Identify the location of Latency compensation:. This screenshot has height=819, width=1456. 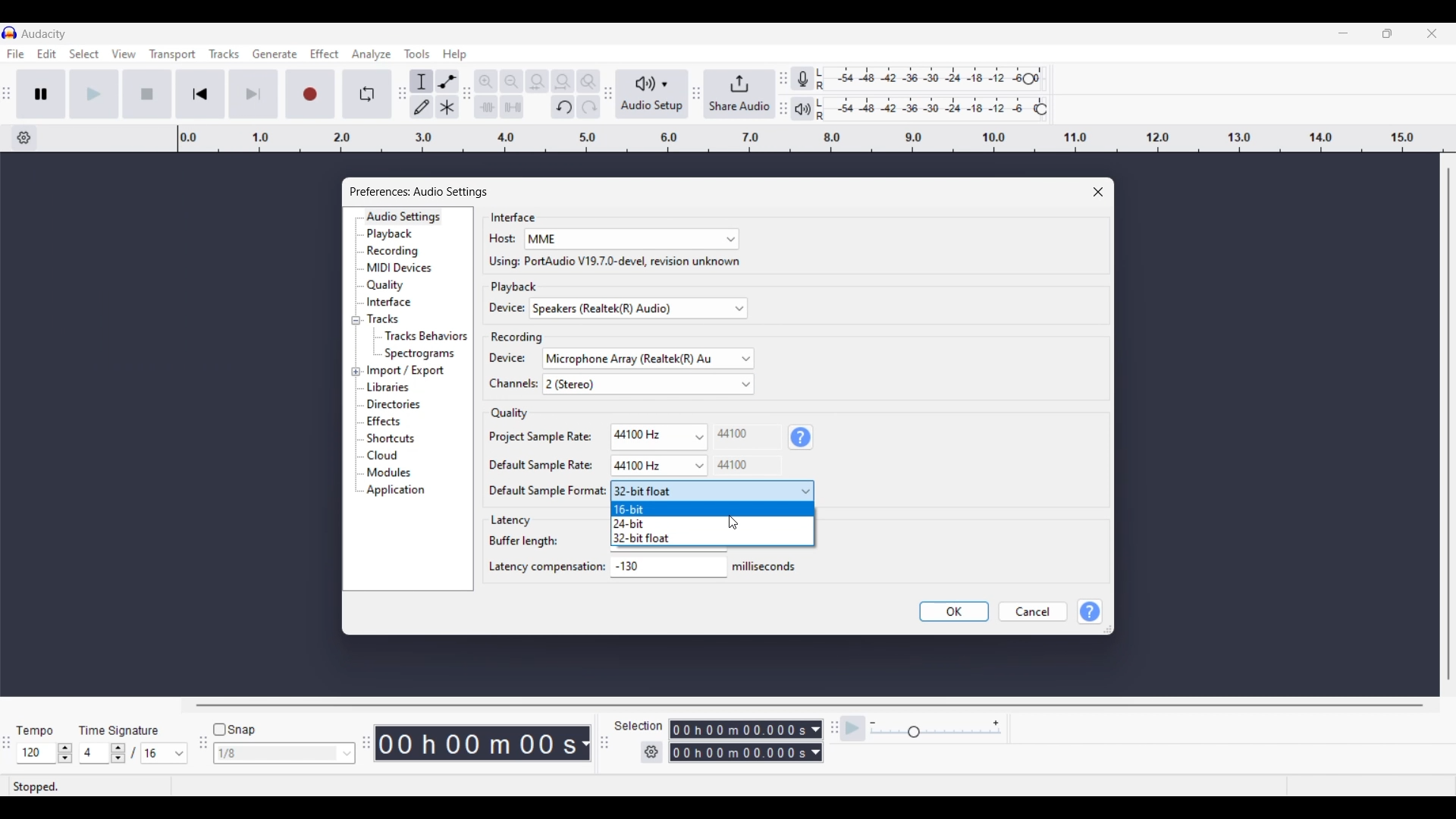
(545, 570).